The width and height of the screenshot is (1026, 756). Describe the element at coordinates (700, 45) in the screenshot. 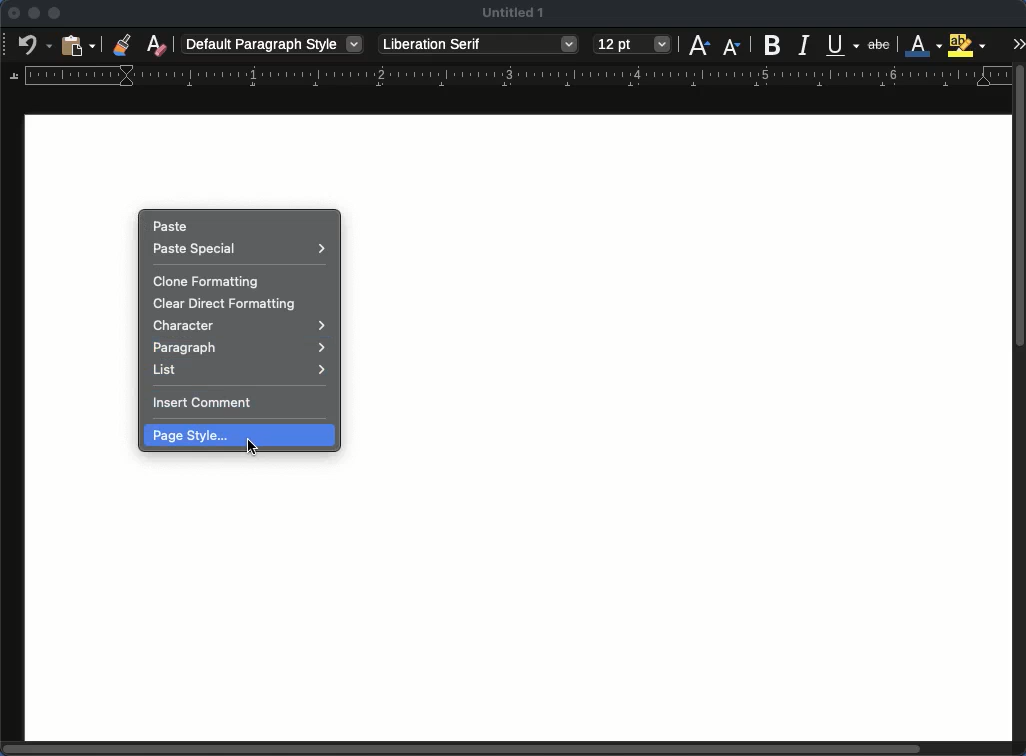

I see `increase` at that location.